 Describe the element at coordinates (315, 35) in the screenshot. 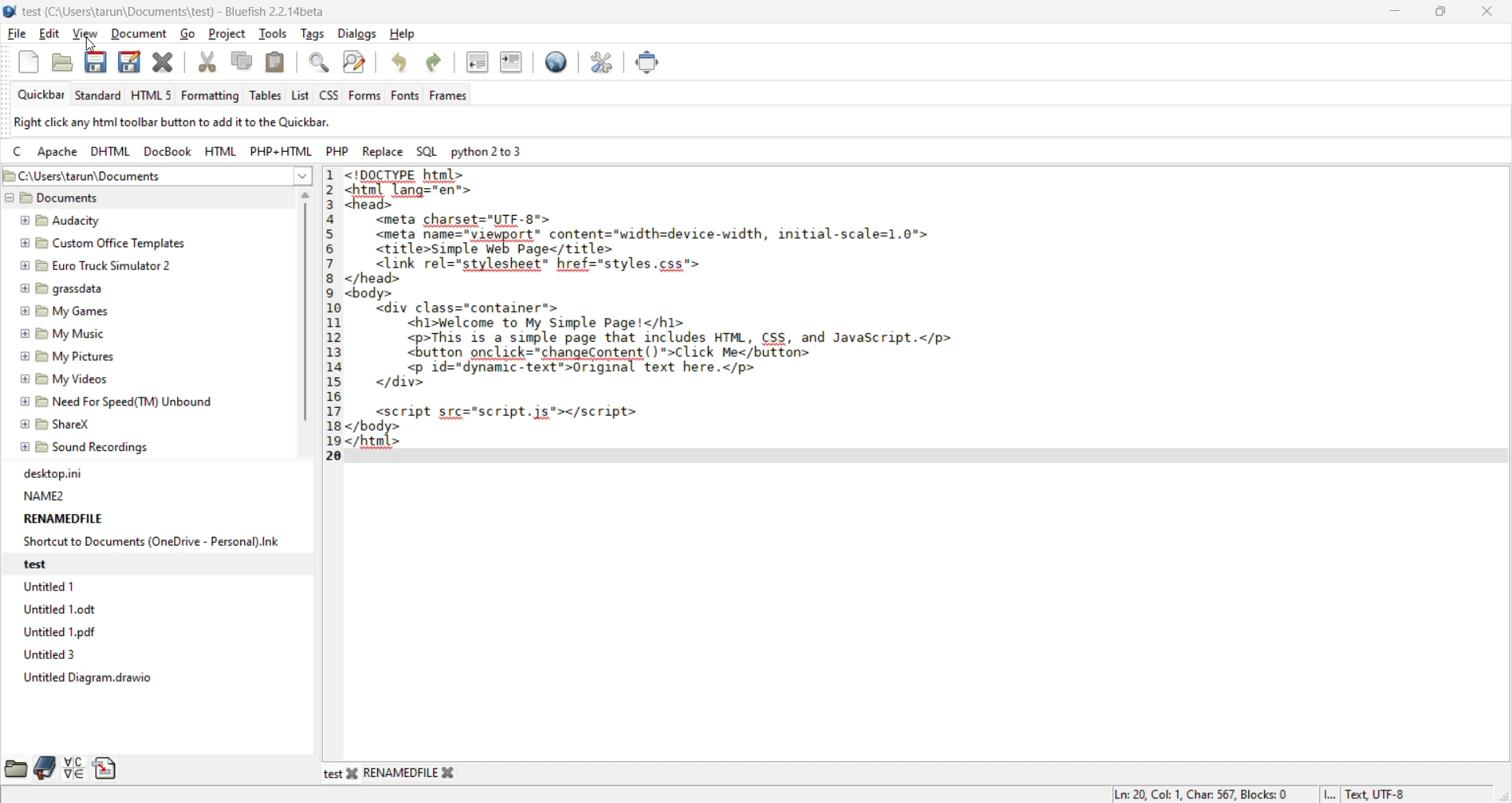

I see `tags` at that location.